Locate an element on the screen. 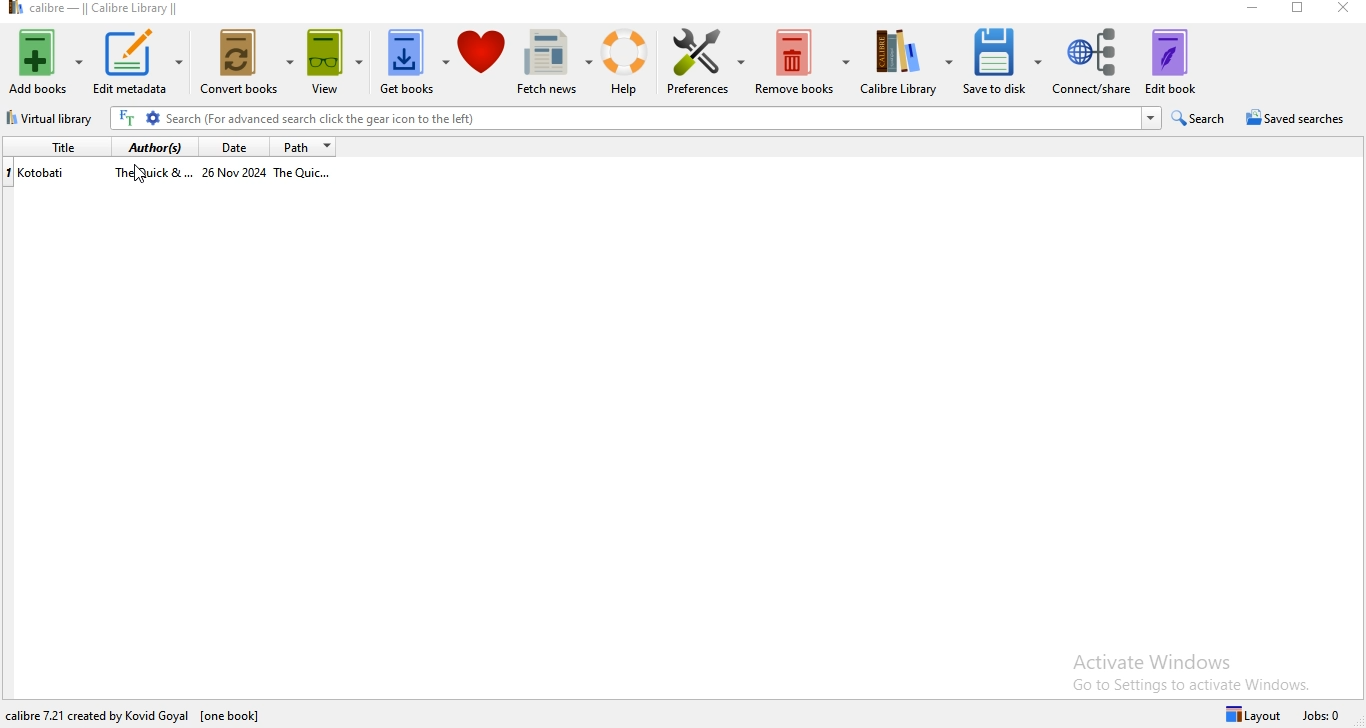 This screenshot has width=1366, height=728. date is located at coordinates (235, 147).